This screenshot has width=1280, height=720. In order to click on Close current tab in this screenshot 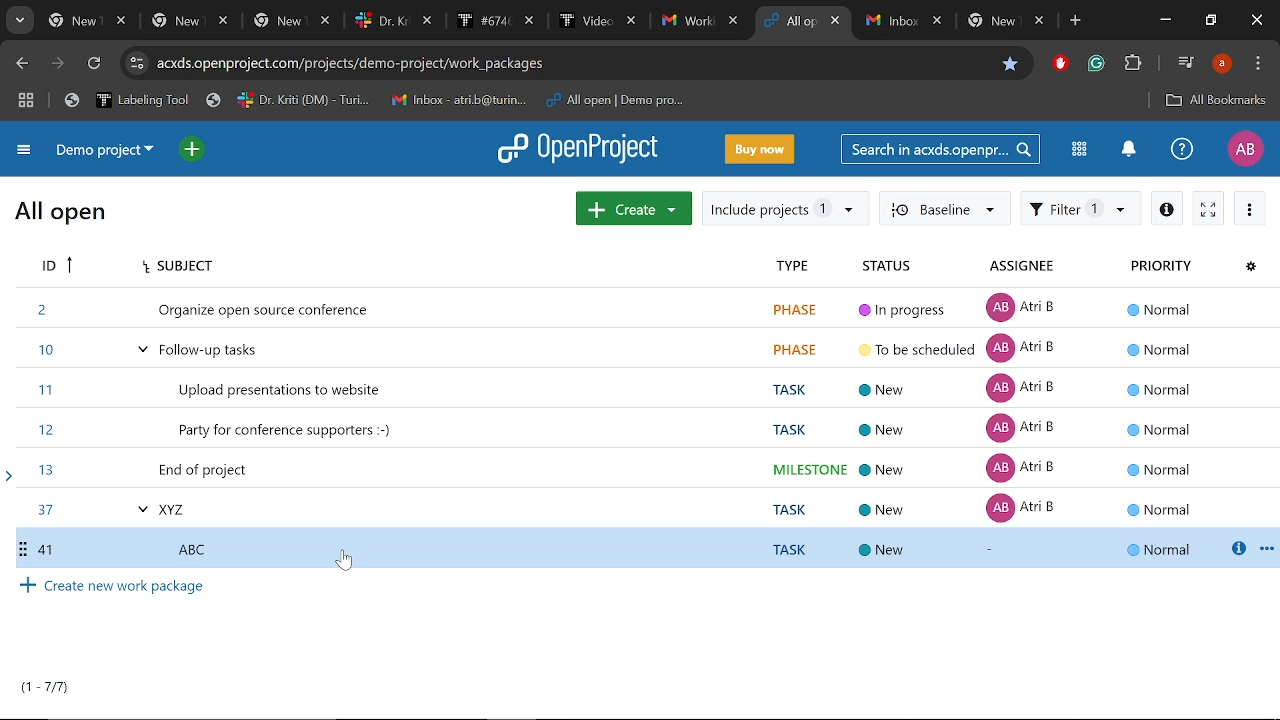, I will do `click(838, 23)`.